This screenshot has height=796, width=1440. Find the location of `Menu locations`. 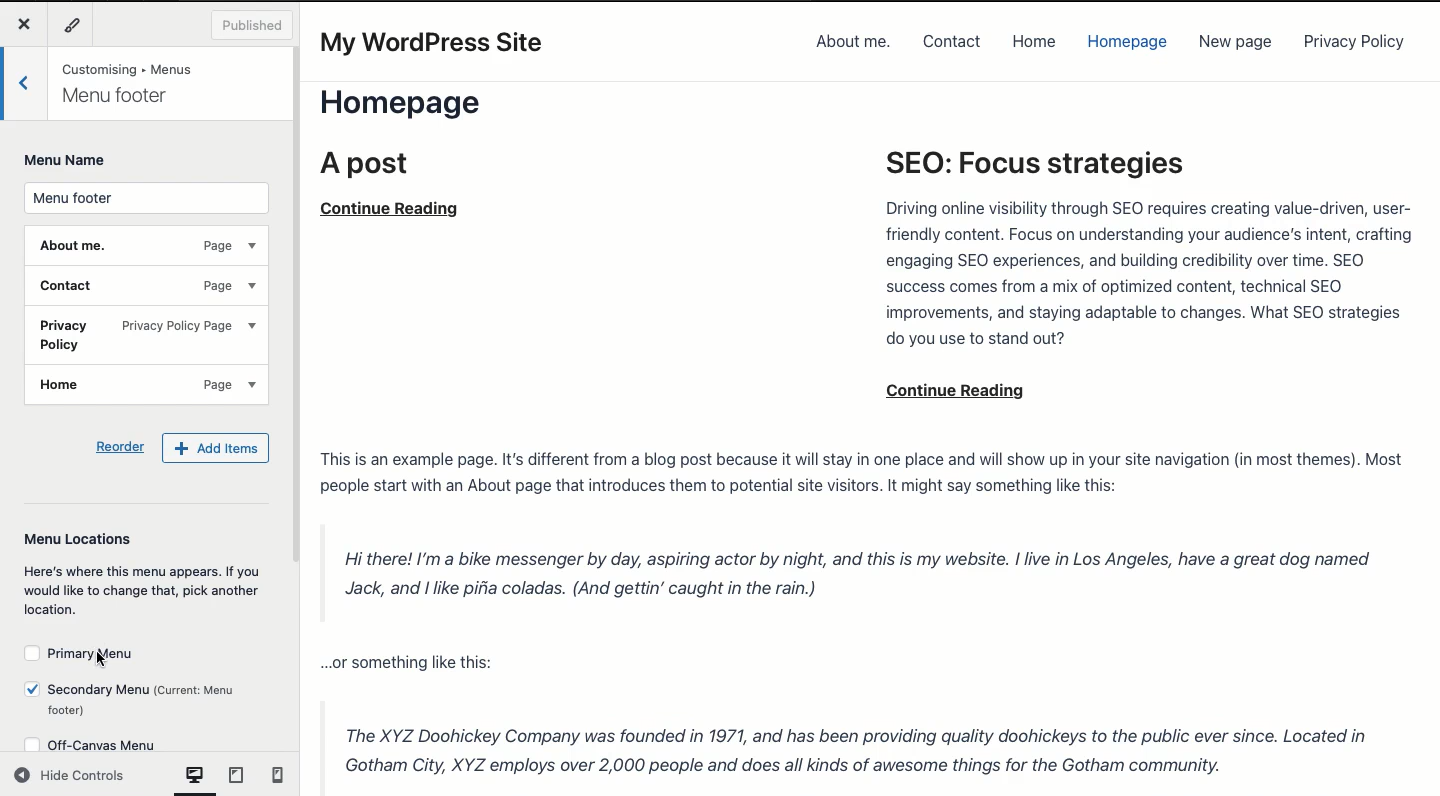

Menu locations is located at coordinates (141, 572).